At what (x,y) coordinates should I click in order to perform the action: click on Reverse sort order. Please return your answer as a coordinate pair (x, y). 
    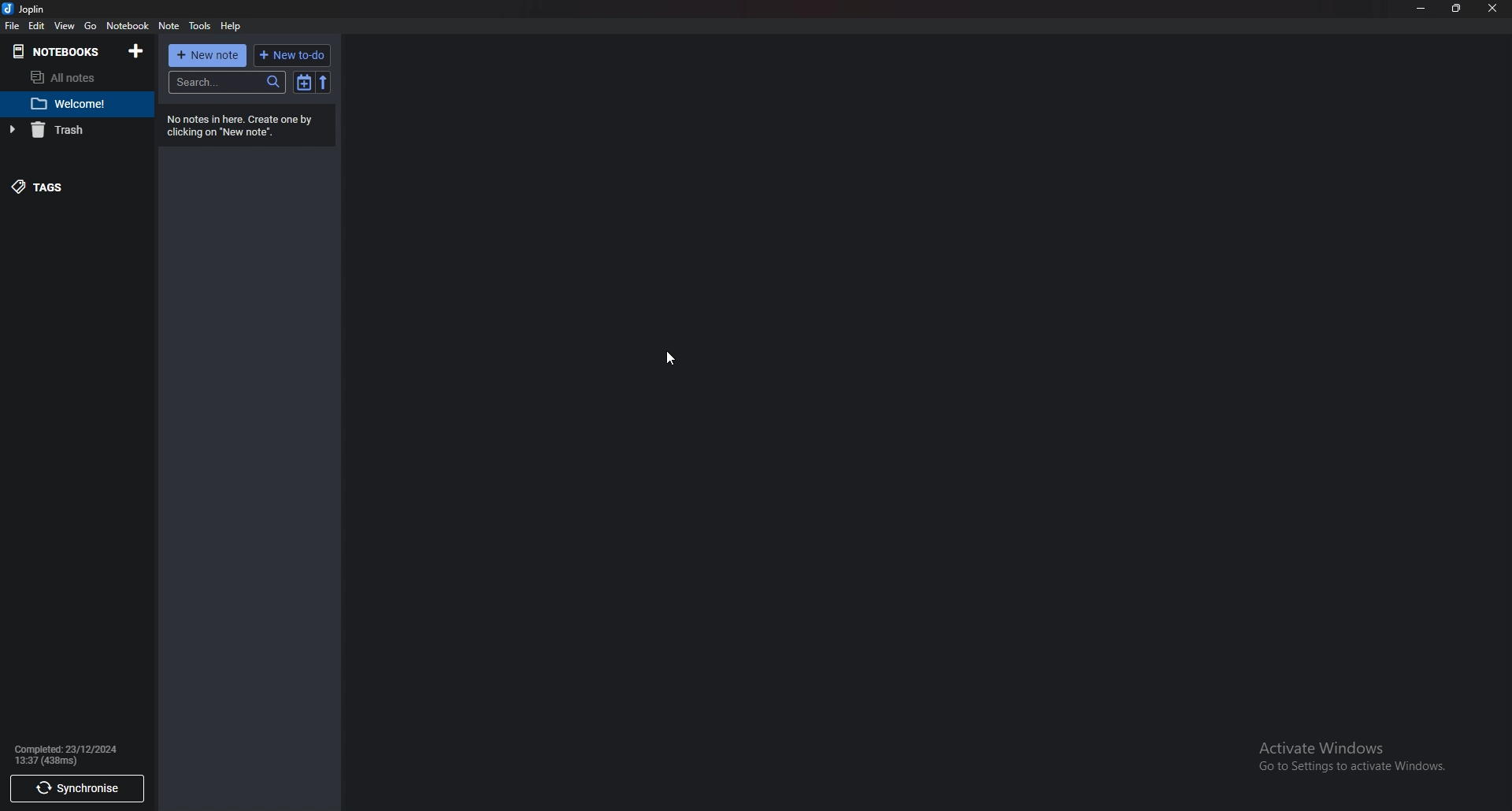
    Looking at the image, I should click on (322, 81).